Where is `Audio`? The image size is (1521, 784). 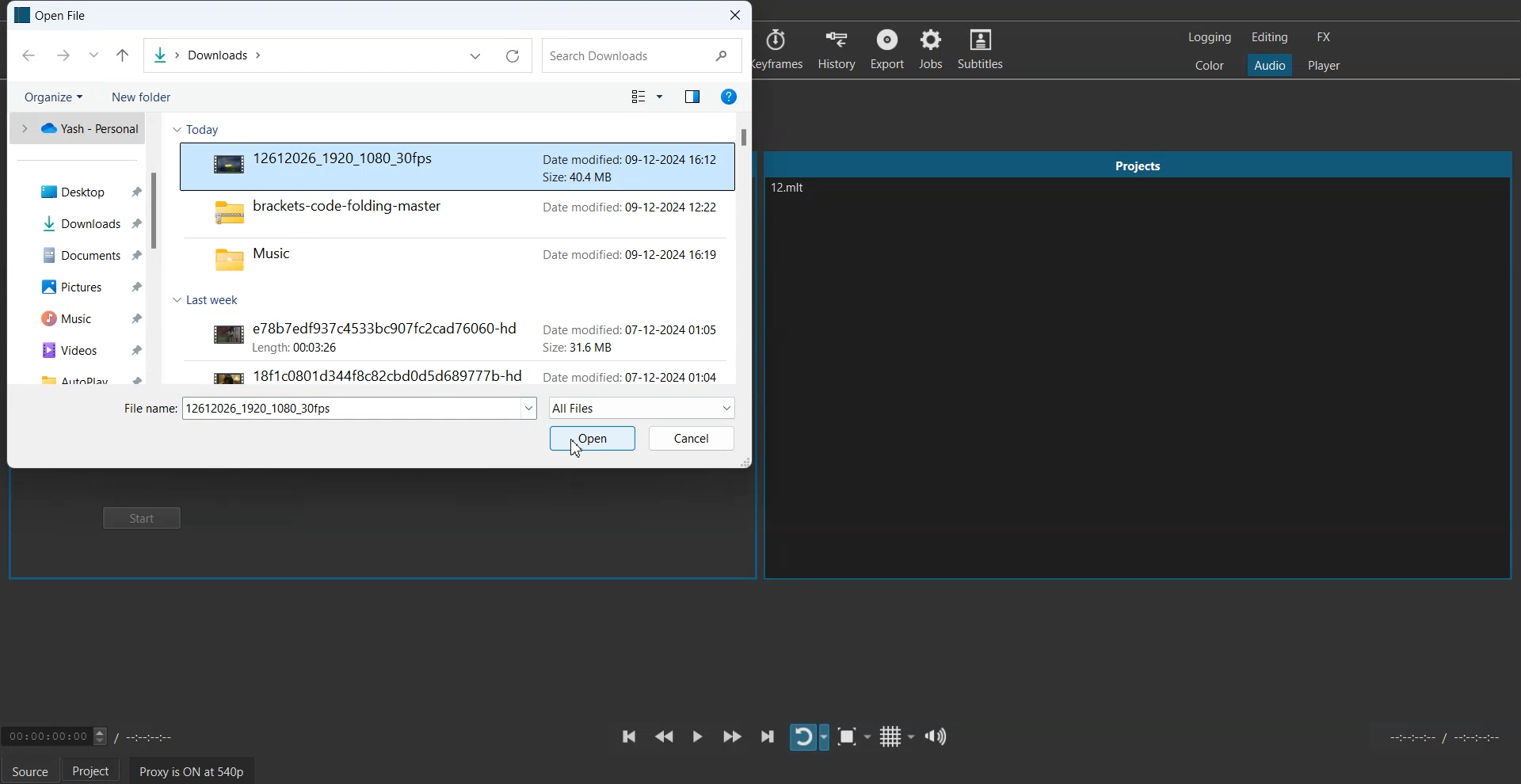
Audio is located at coordinates (1269, 64).